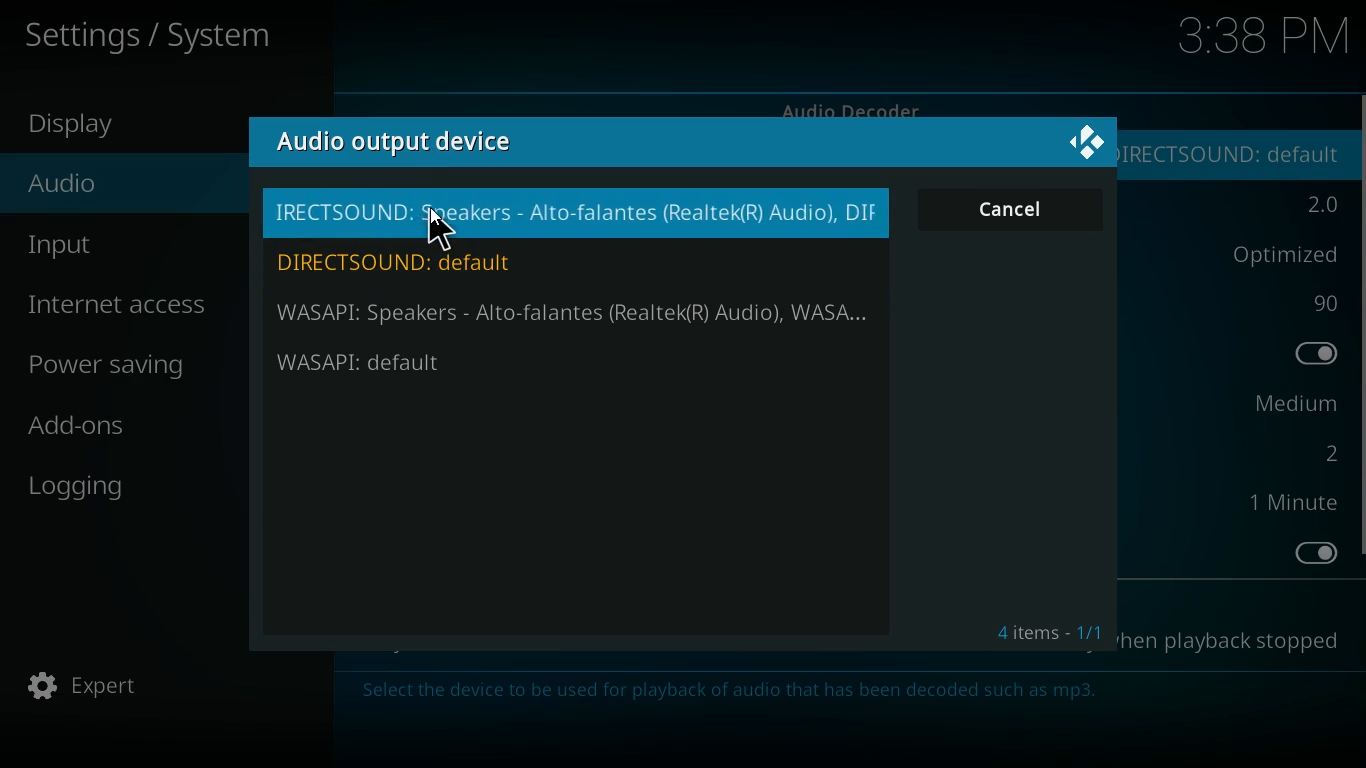 Image resolution: width=1366 pixels, height=768 pixels. Describe the element at coordinates (129, 190) in the screenshot. I see `audio` at that location.